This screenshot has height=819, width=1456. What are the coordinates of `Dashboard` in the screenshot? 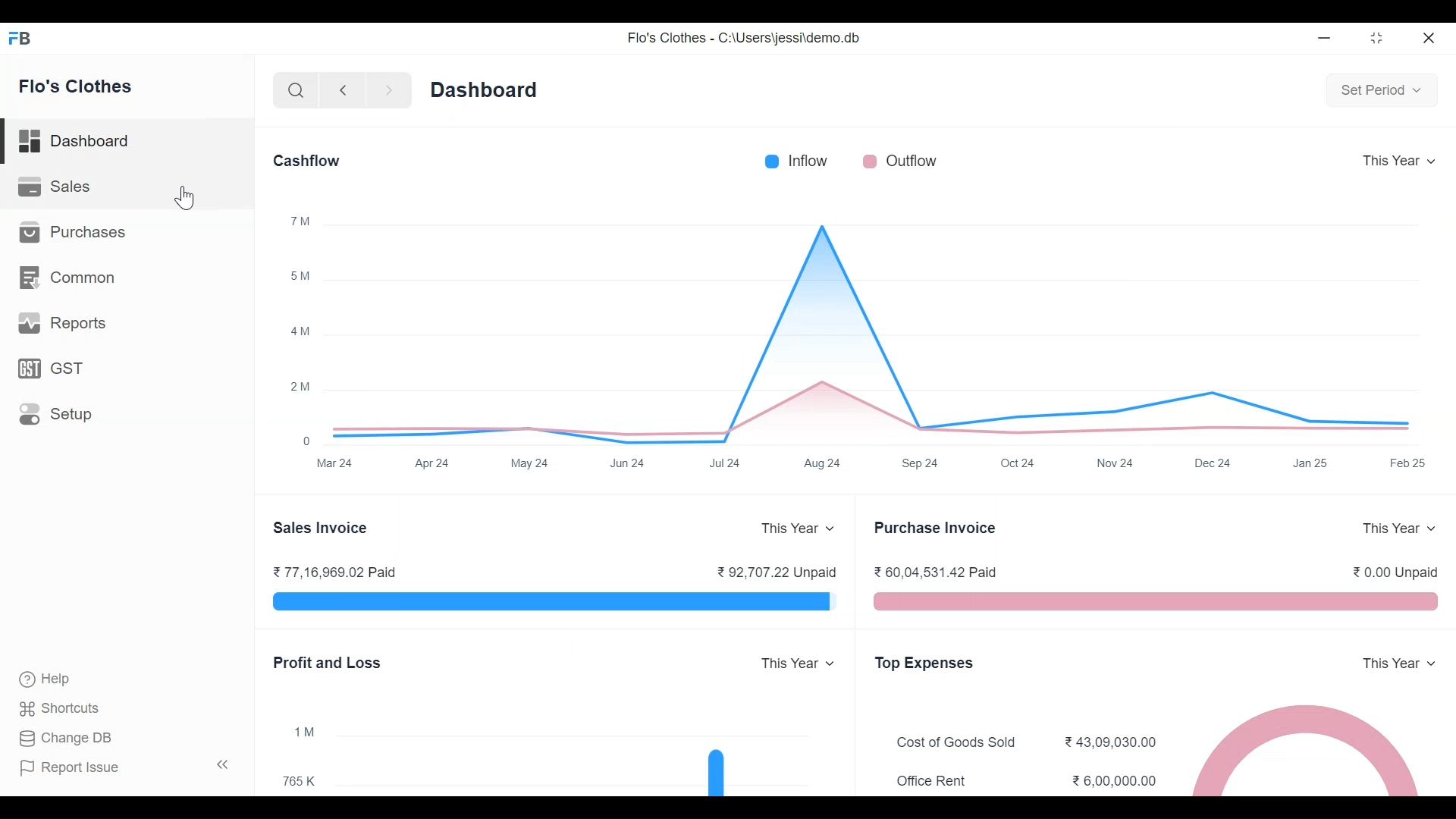 It's located at (483, 89).